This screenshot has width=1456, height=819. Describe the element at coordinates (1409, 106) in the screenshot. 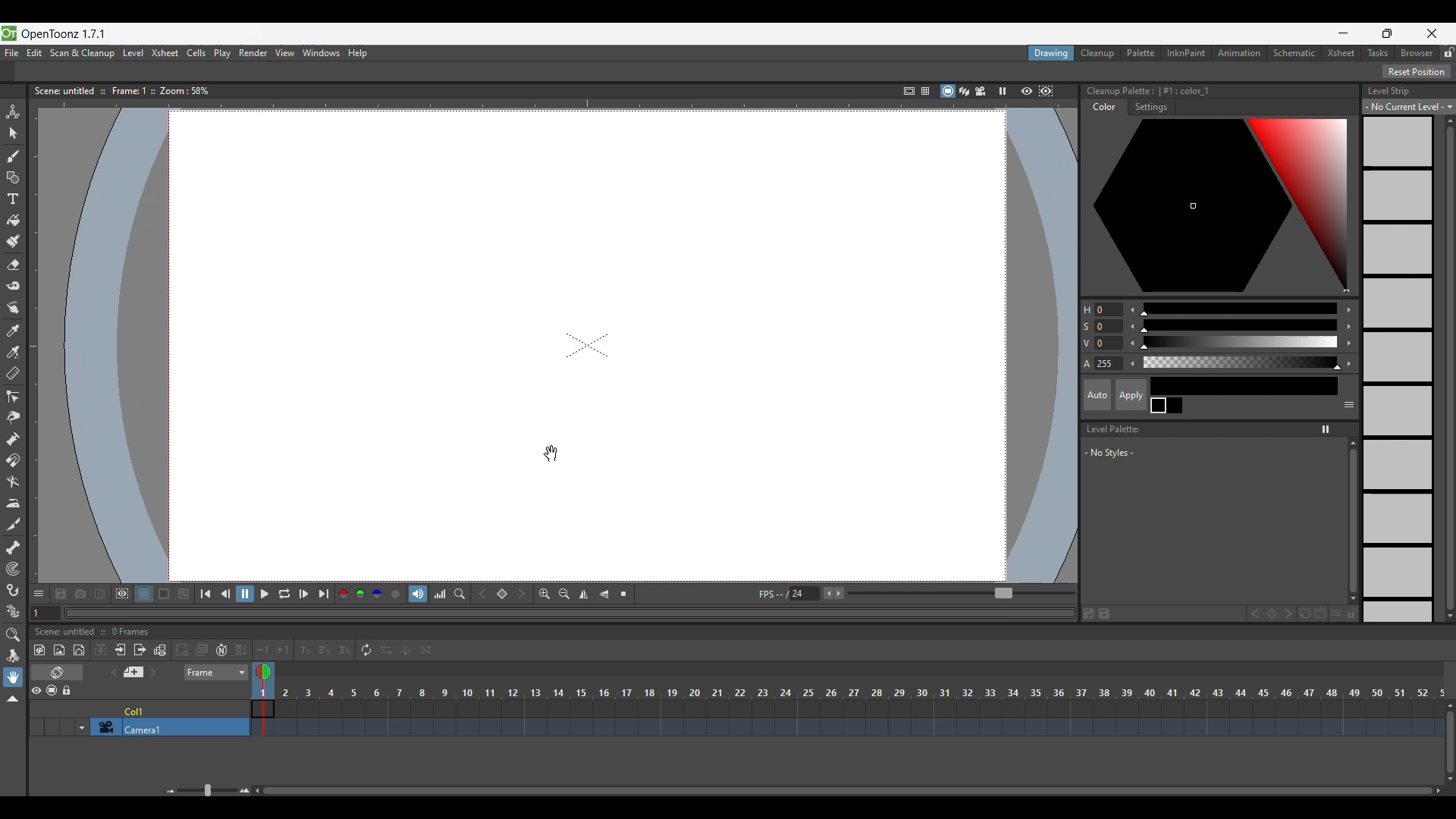

I see `Level strip options` at that location.